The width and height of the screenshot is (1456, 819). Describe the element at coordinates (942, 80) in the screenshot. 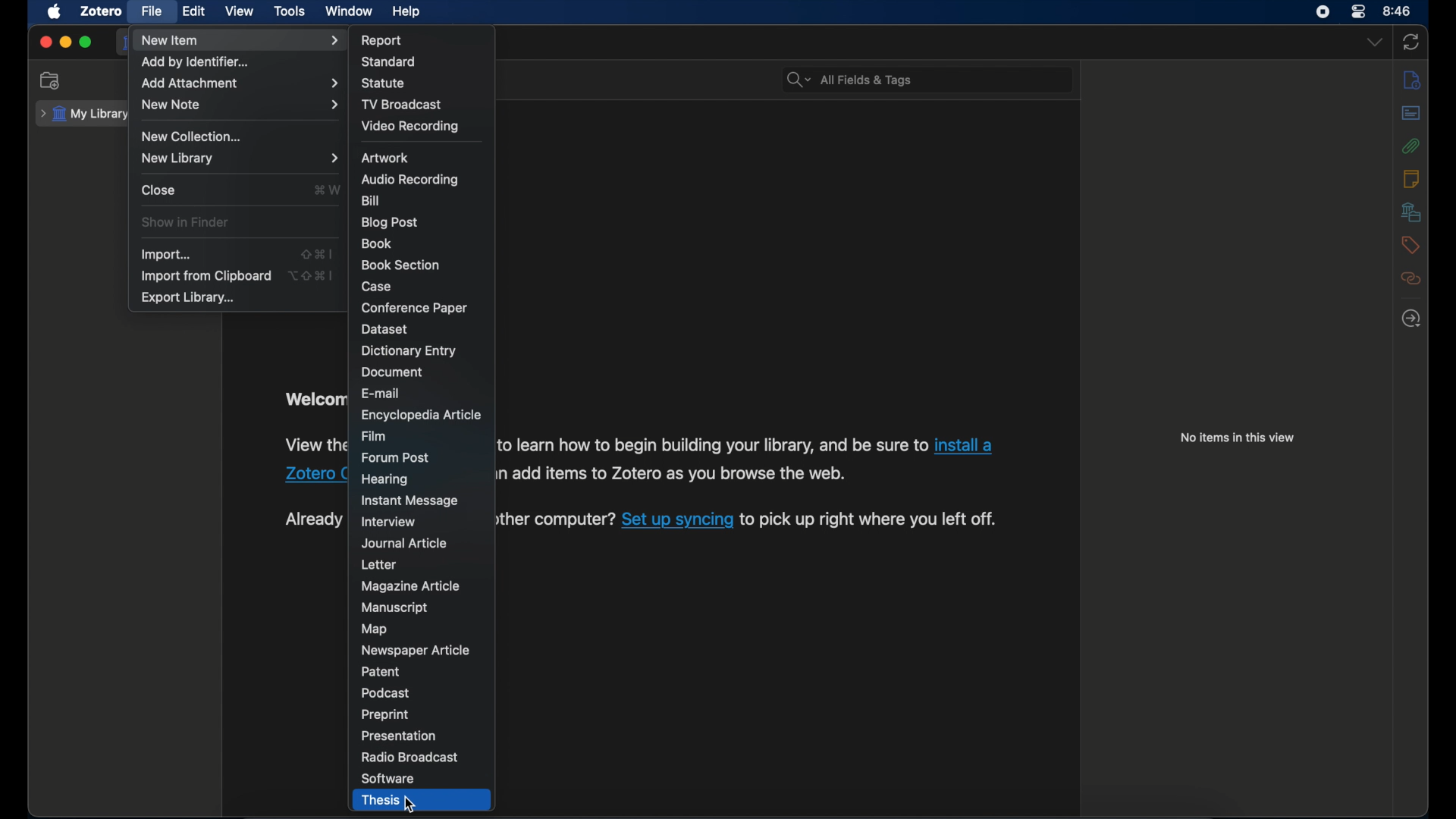

I see `search bar input` at that location.